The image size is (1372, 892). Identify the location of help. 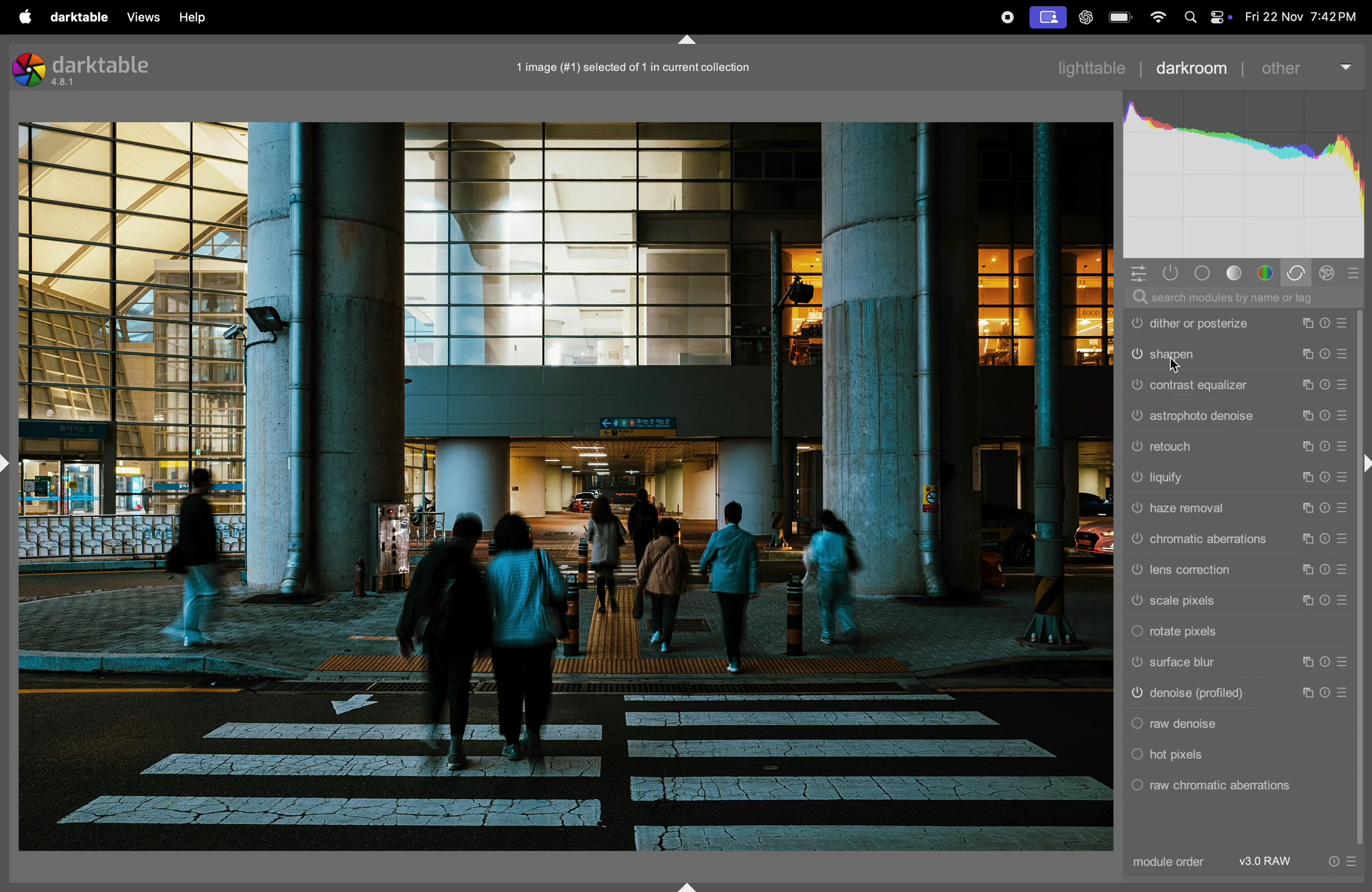
(203, 14).